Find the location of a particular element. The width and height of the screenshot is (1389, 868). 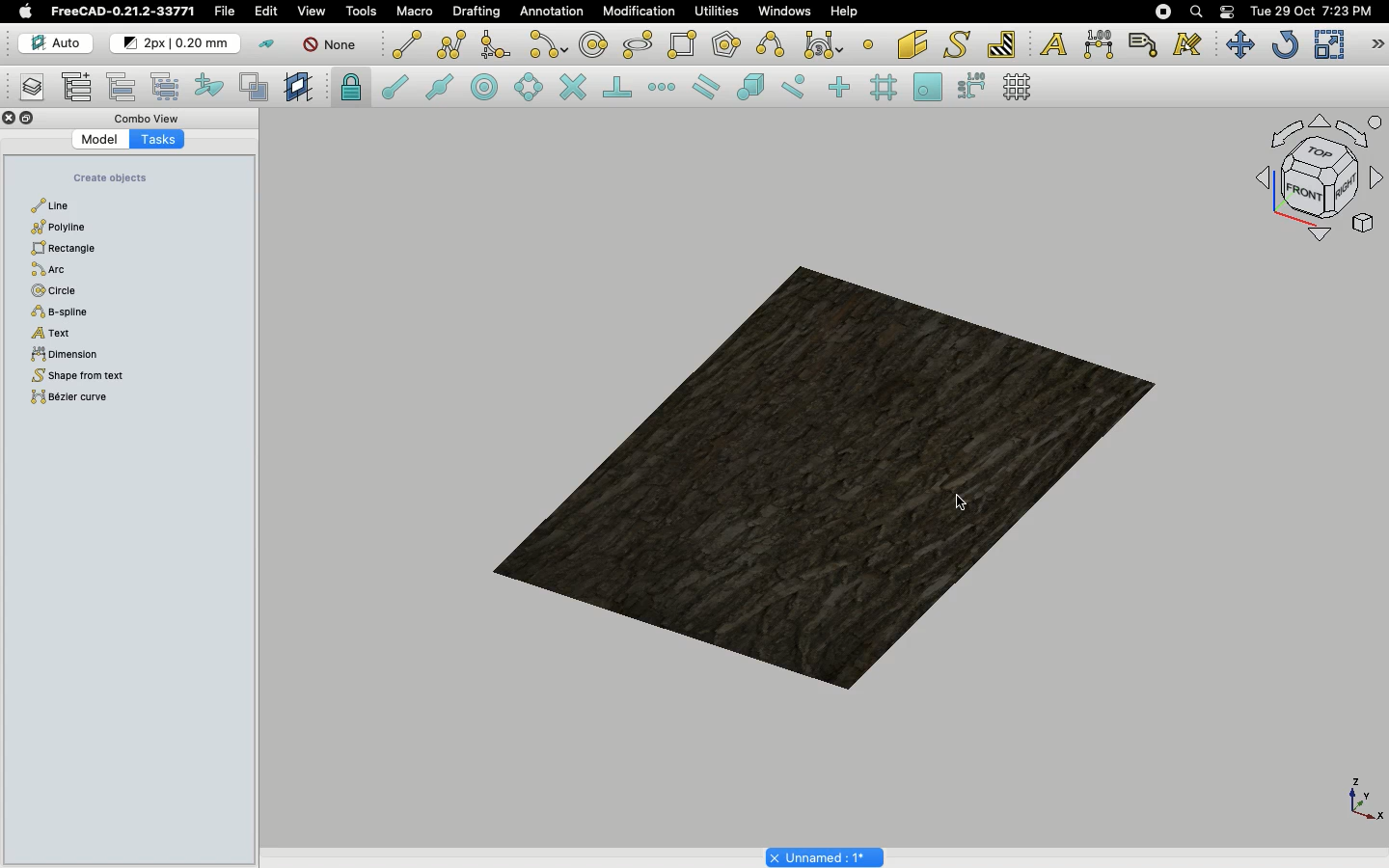

Combo view is located at coordinates (143, 116).